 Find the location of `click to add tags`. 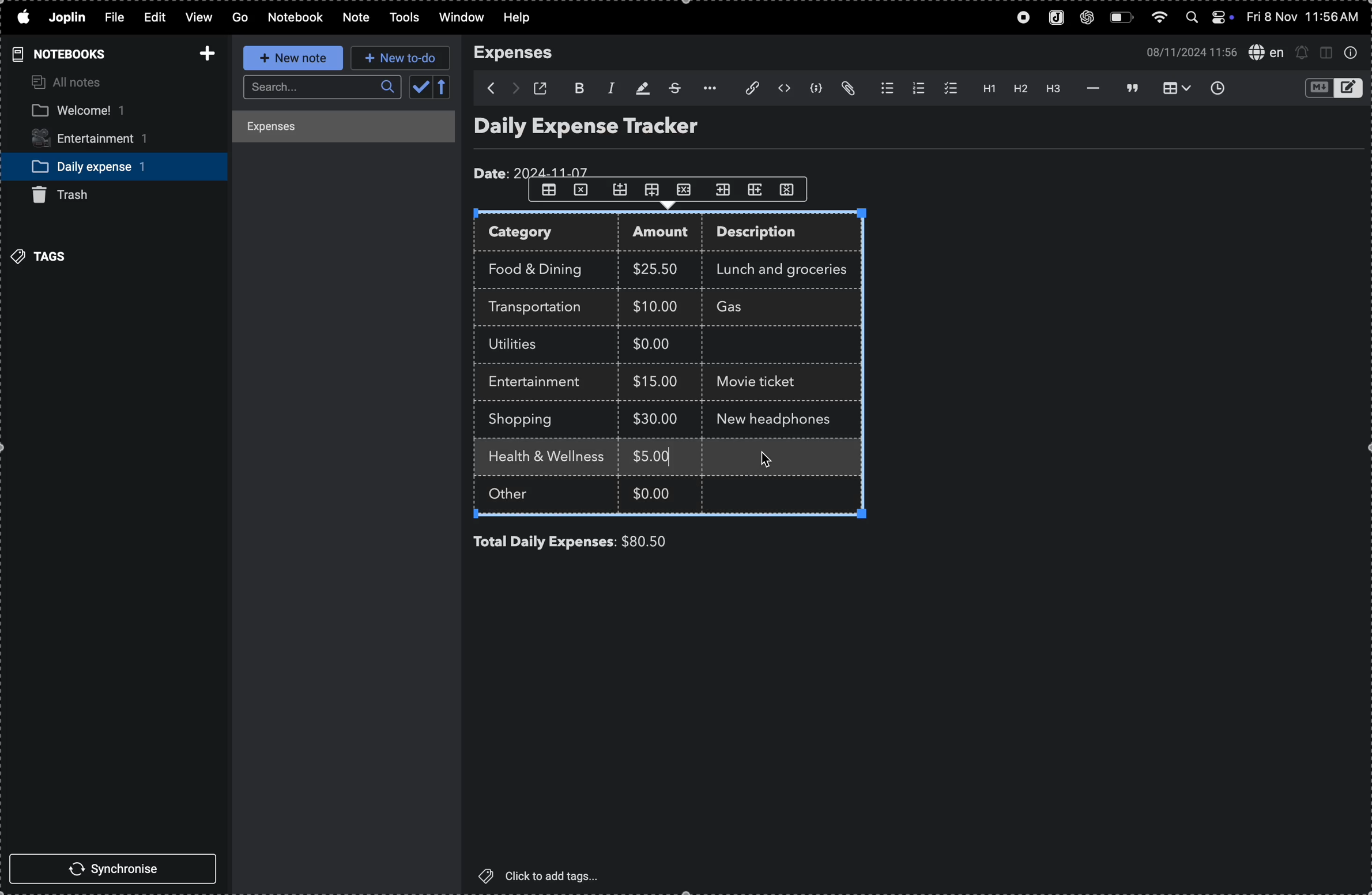

click to add tags is located at coordinates (546, 875).